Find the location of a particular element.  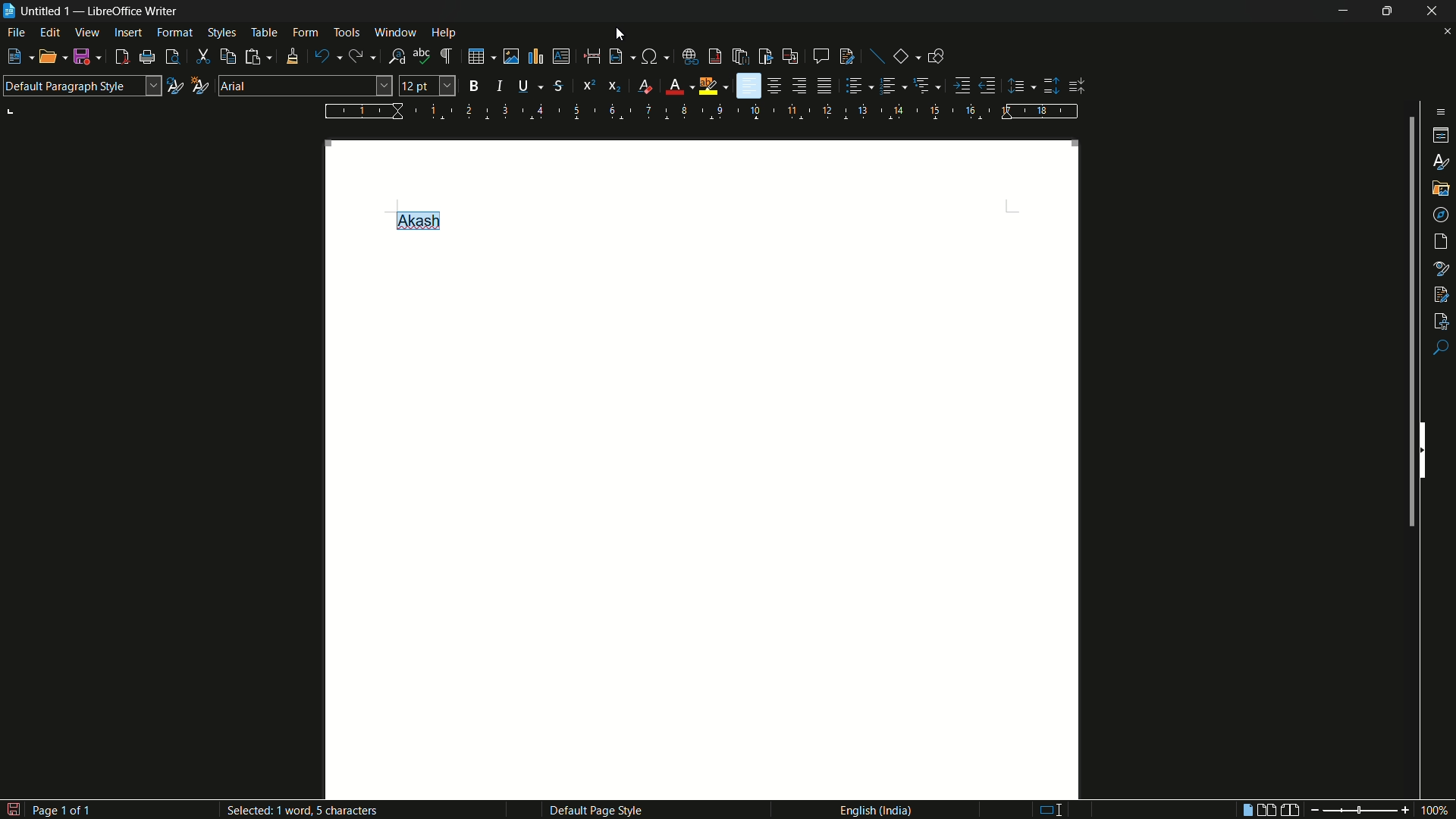

tools menu is located at coordinates (347, 32).